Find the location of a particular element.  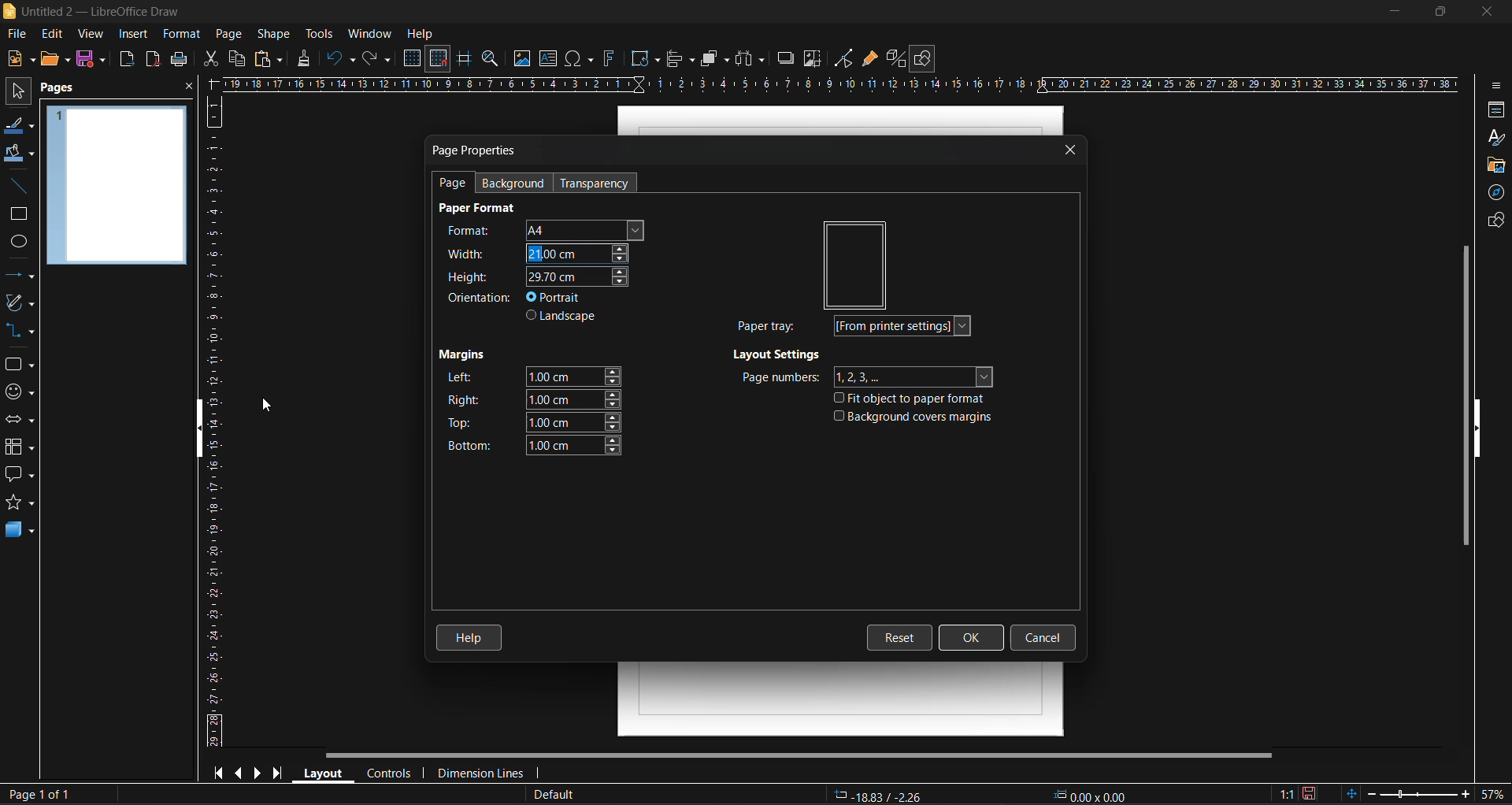

minimize is located at coordinates (1389, 12).